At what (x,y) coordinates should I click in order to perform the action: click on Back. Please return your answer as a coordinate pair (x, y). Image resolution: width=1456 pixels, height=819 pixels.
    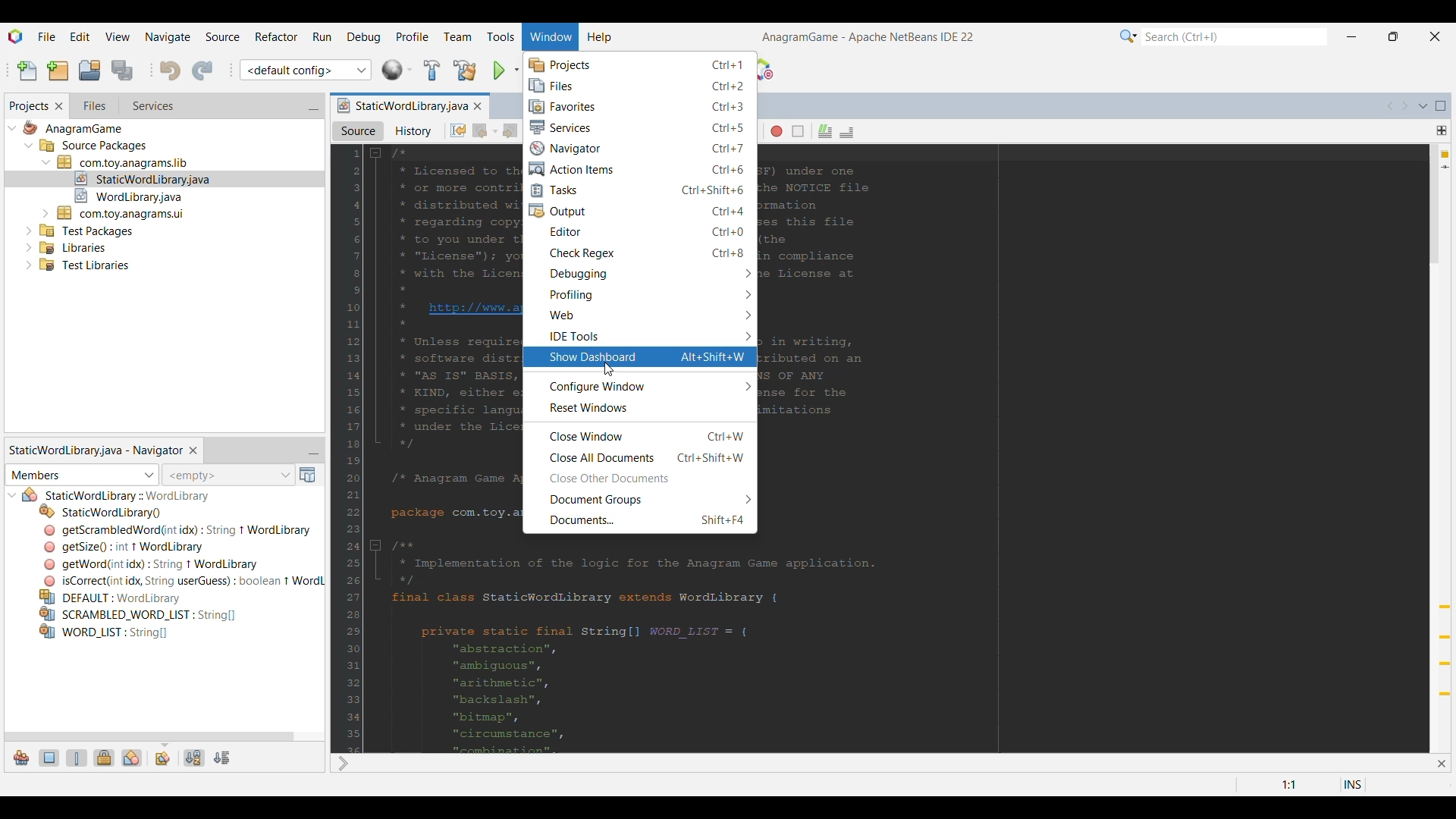
    Looking at the image, I should click on (480, 130).